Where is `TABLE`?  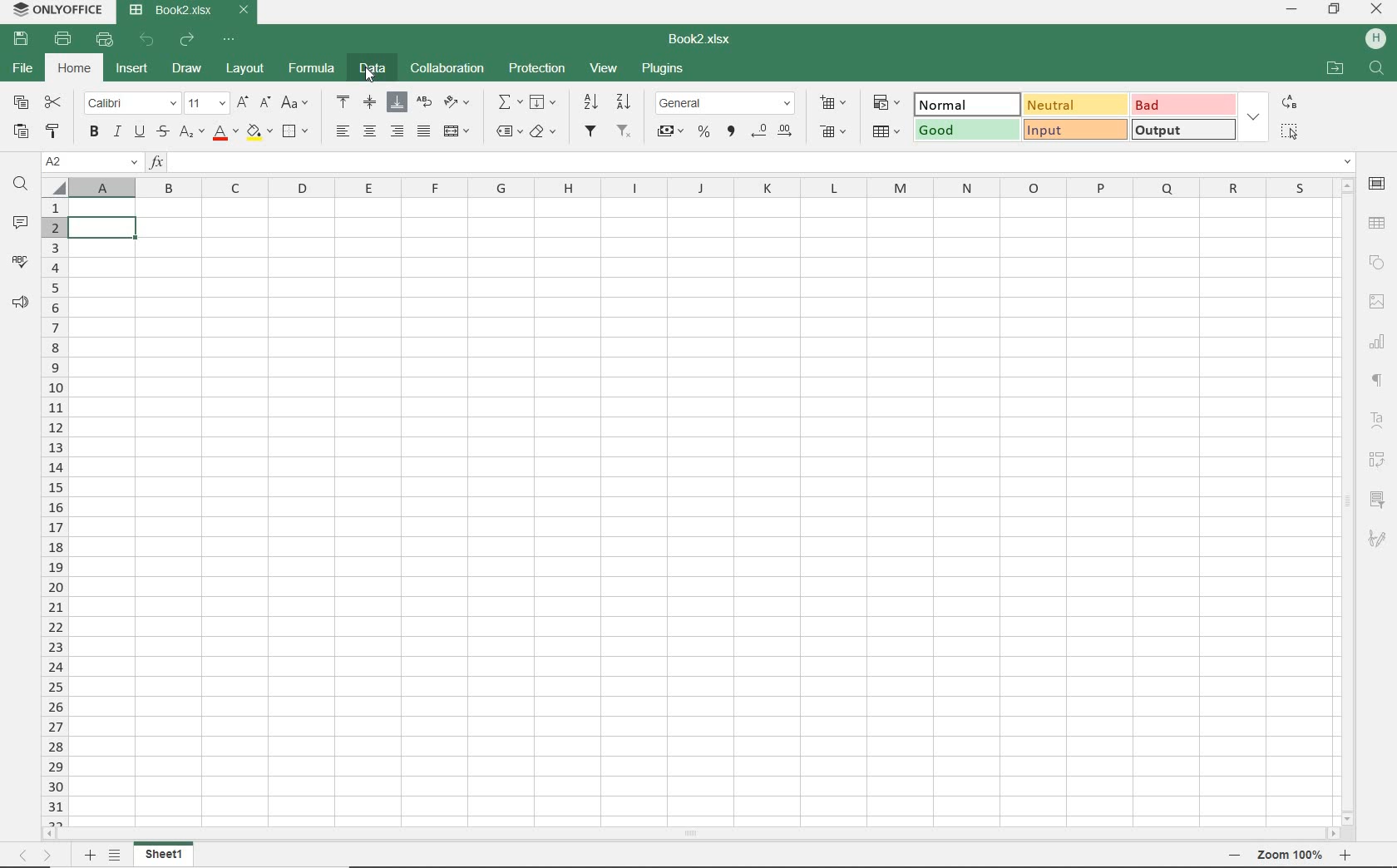
TABLE is located at coordinates (1378, 223).